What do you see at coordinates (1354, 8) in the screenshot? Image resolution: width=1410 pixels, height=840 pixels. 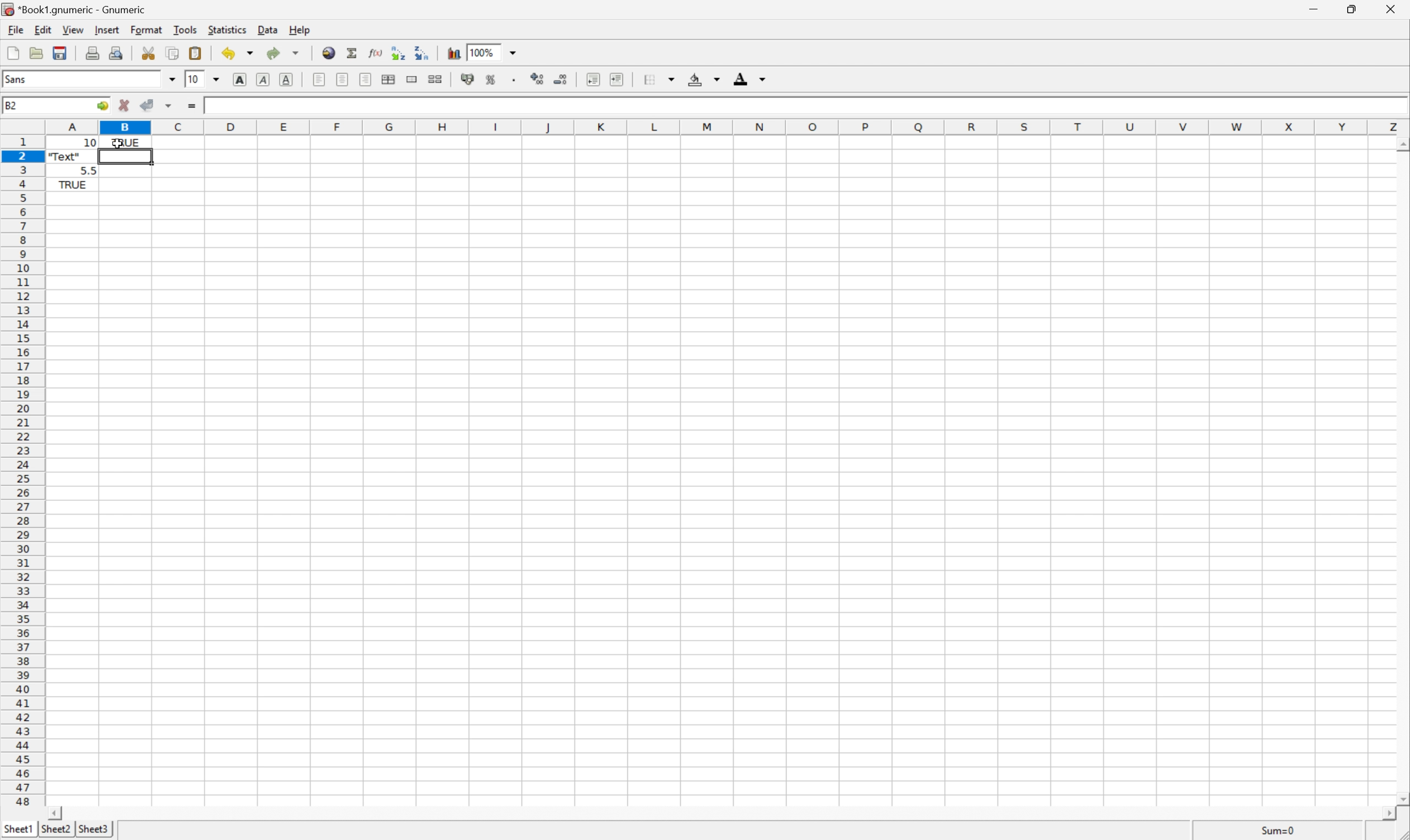 I see `Restore Down` at bounding box center [1354, 8].